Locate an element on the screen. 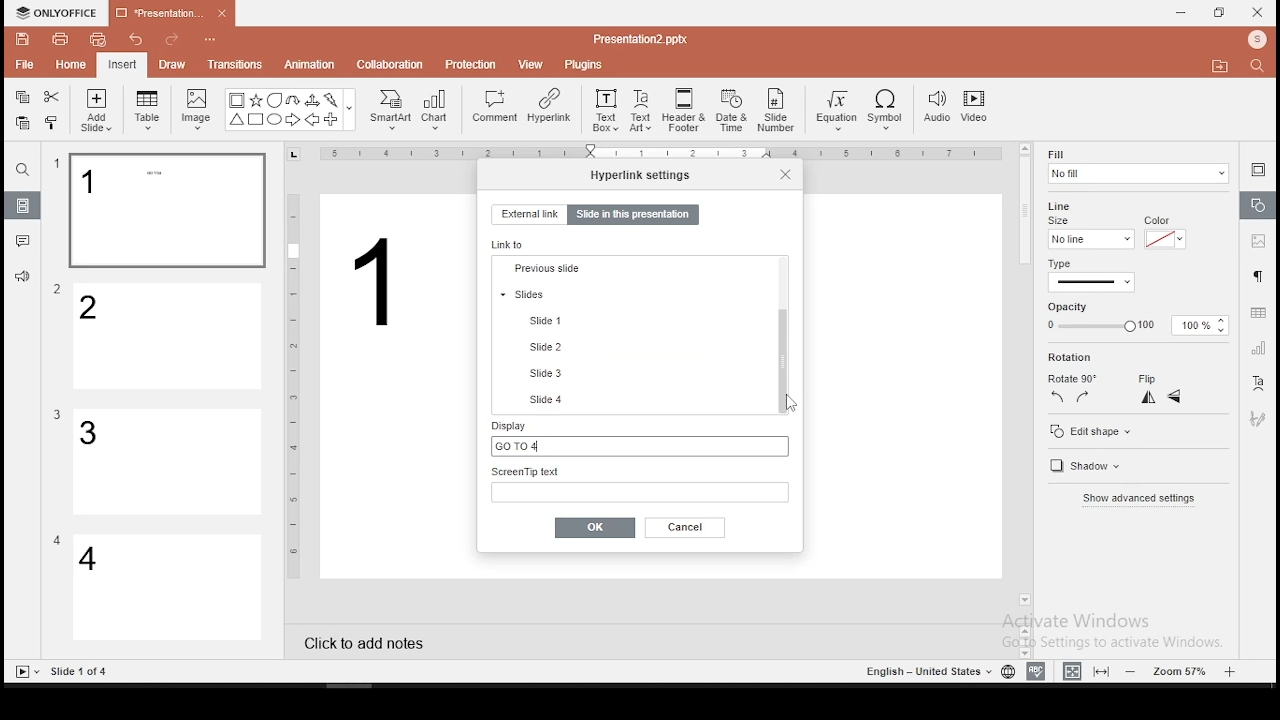 This screenshot has width=1280, height=720. fill is located at coordinates (1137, 166).